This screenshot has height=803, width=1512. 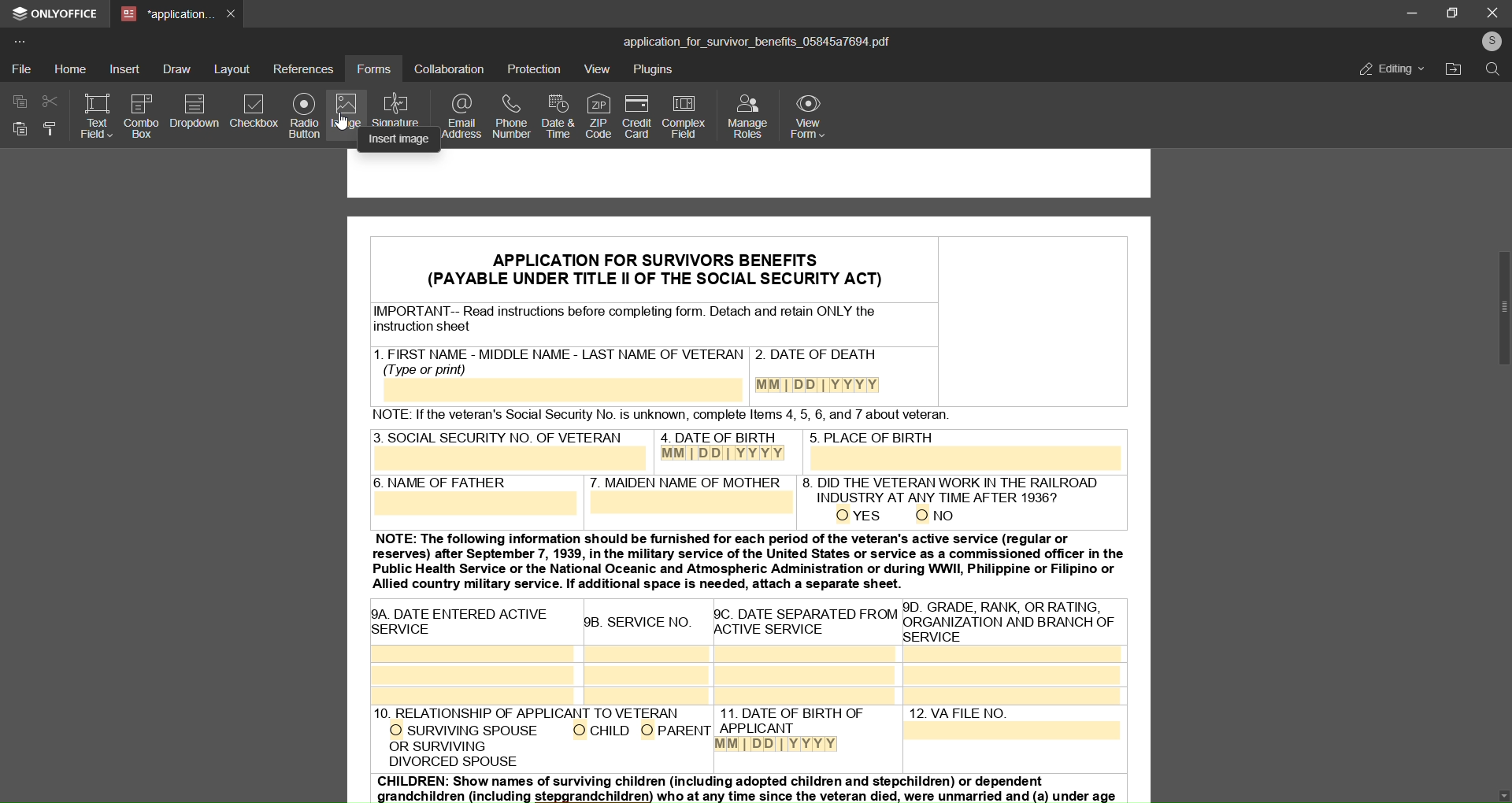 I want to click on collaboration, so click(x=448, y=69).